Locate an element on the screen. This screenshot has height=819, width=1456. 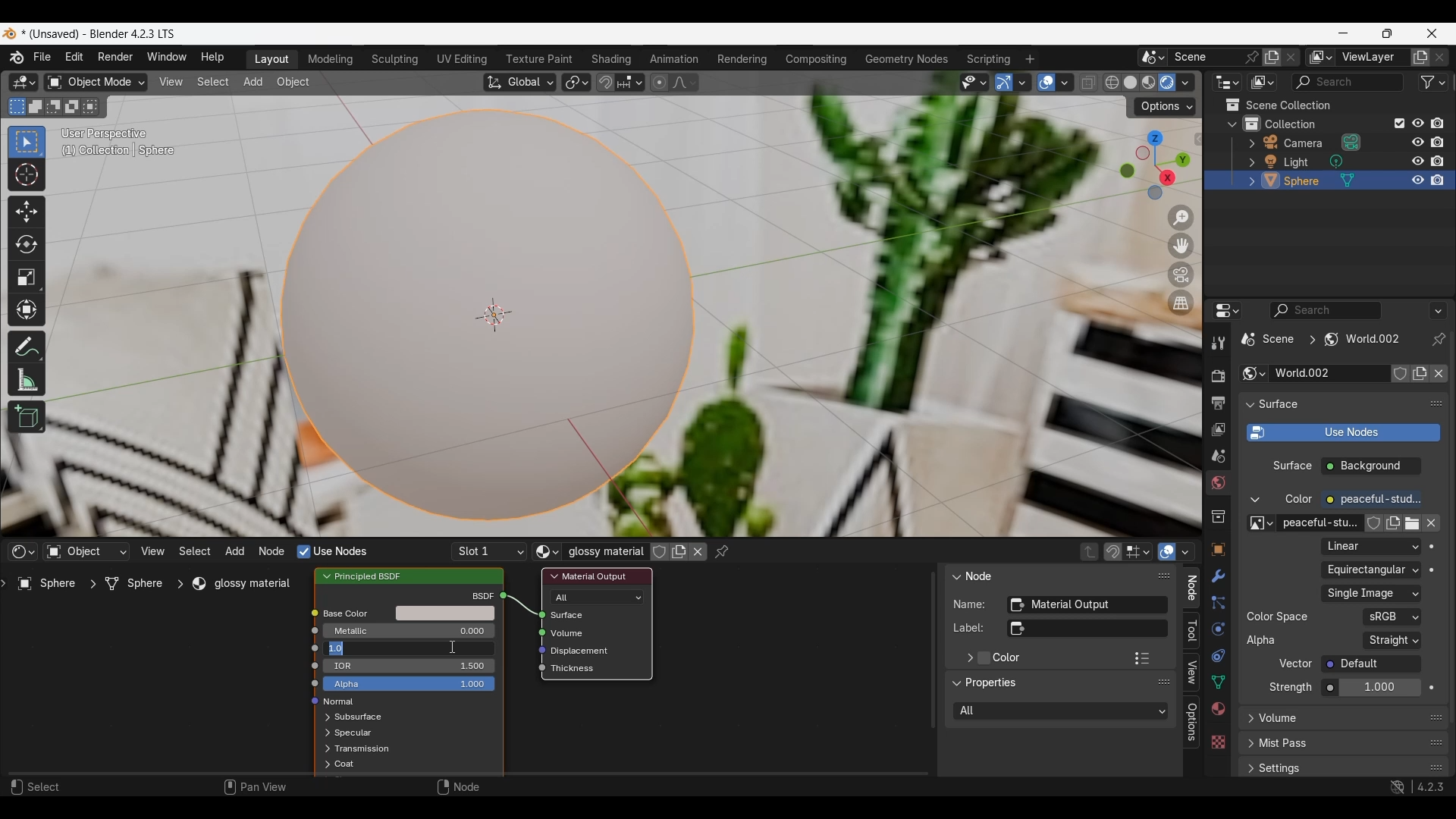
Overlays is located at coordinates (1185, 551).